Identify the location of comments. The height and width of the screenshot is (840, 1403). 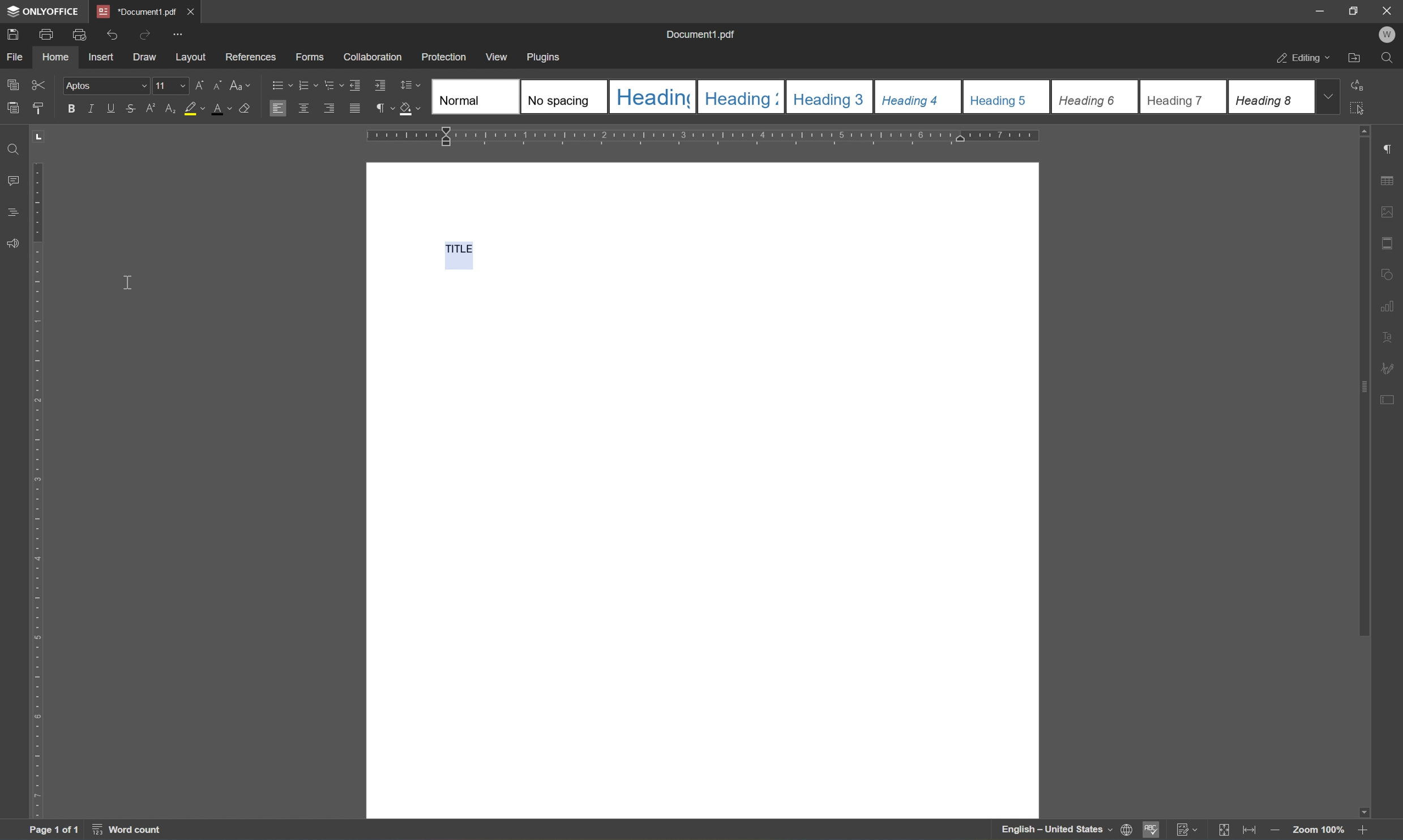
(11, 181).